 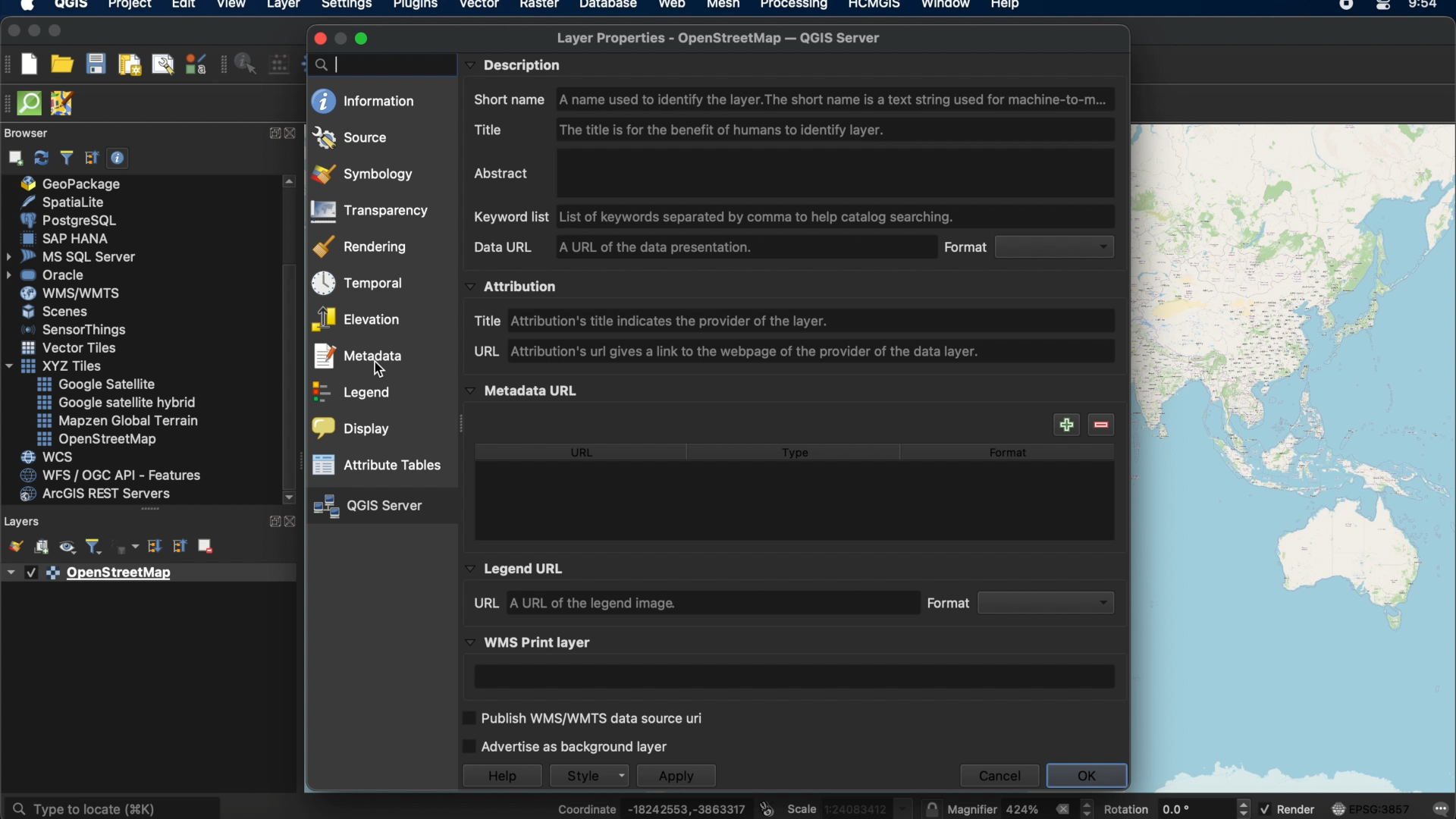 I want to click on URL attribute, so click(x=730, y=353).